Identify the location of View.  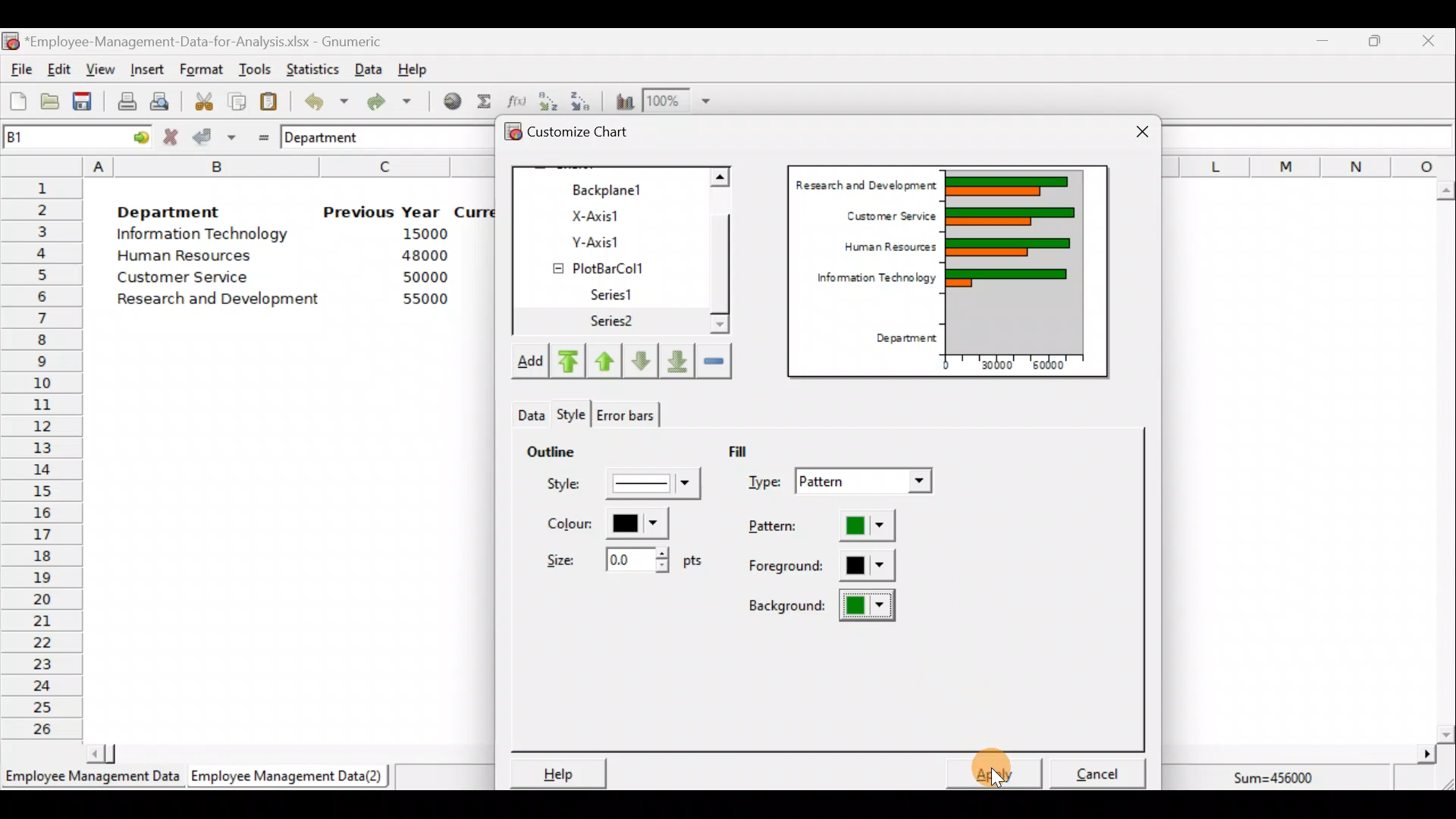
(99, 70).